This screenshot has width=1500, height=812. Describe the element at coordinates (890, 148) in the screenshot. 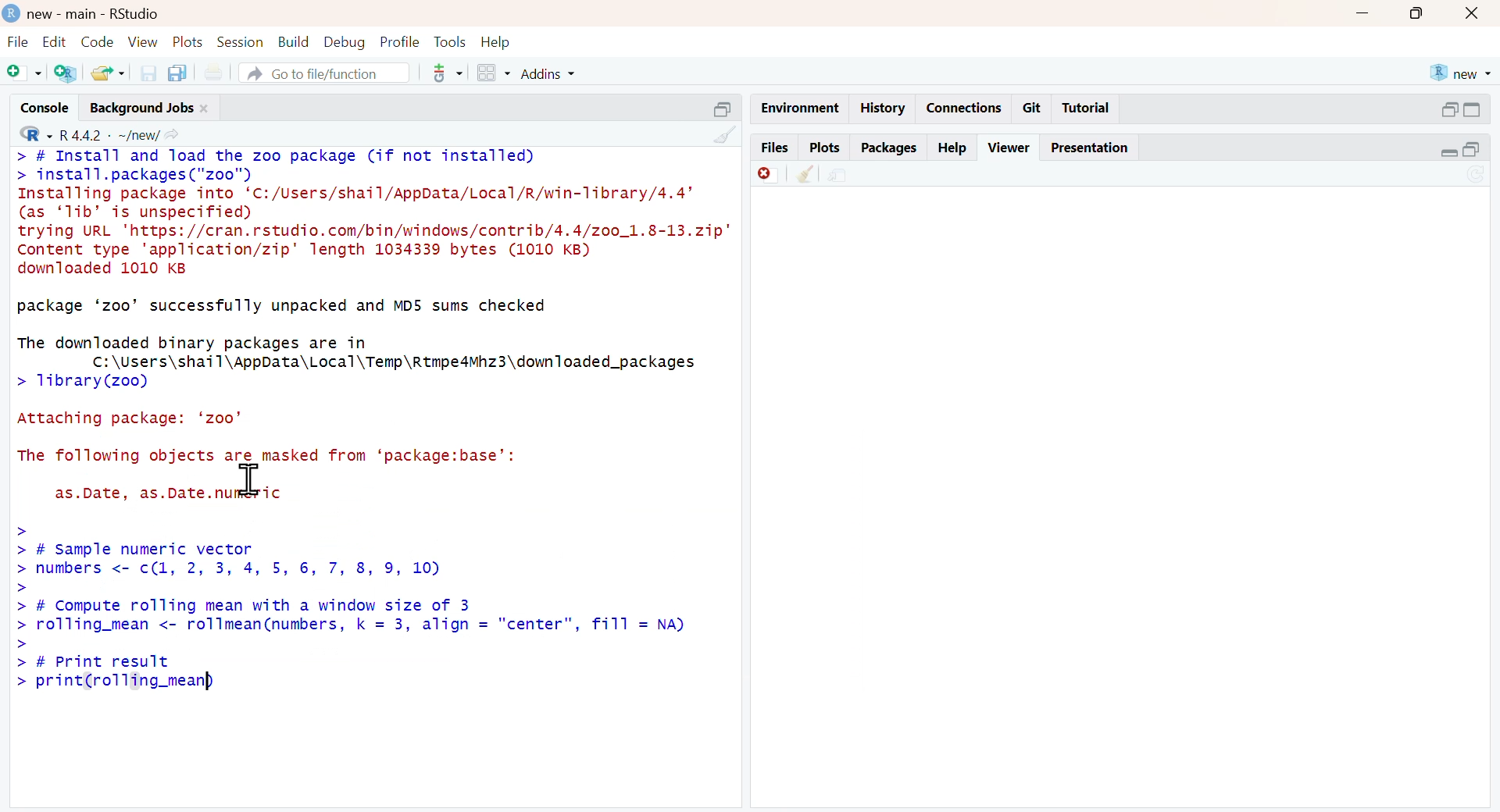

I see `packages` at that location.